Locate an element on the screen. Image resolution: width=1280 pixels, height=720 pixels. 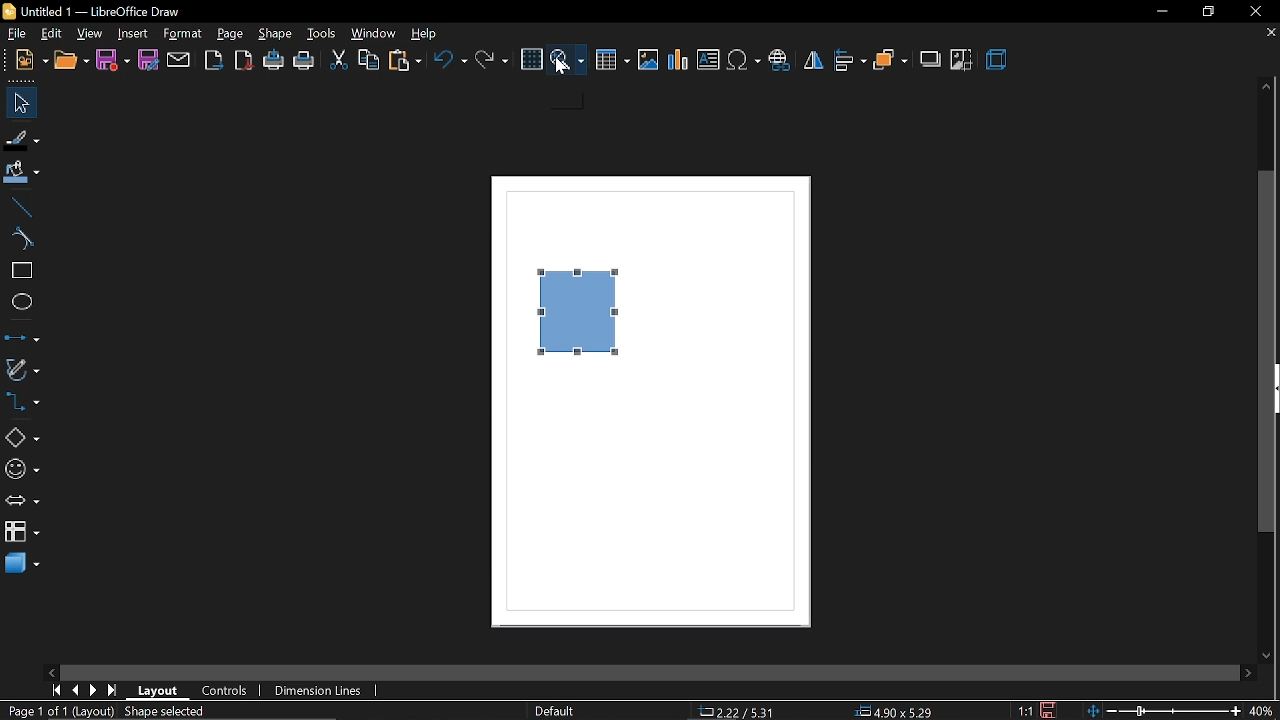
position is located at coordinates (894, 712).